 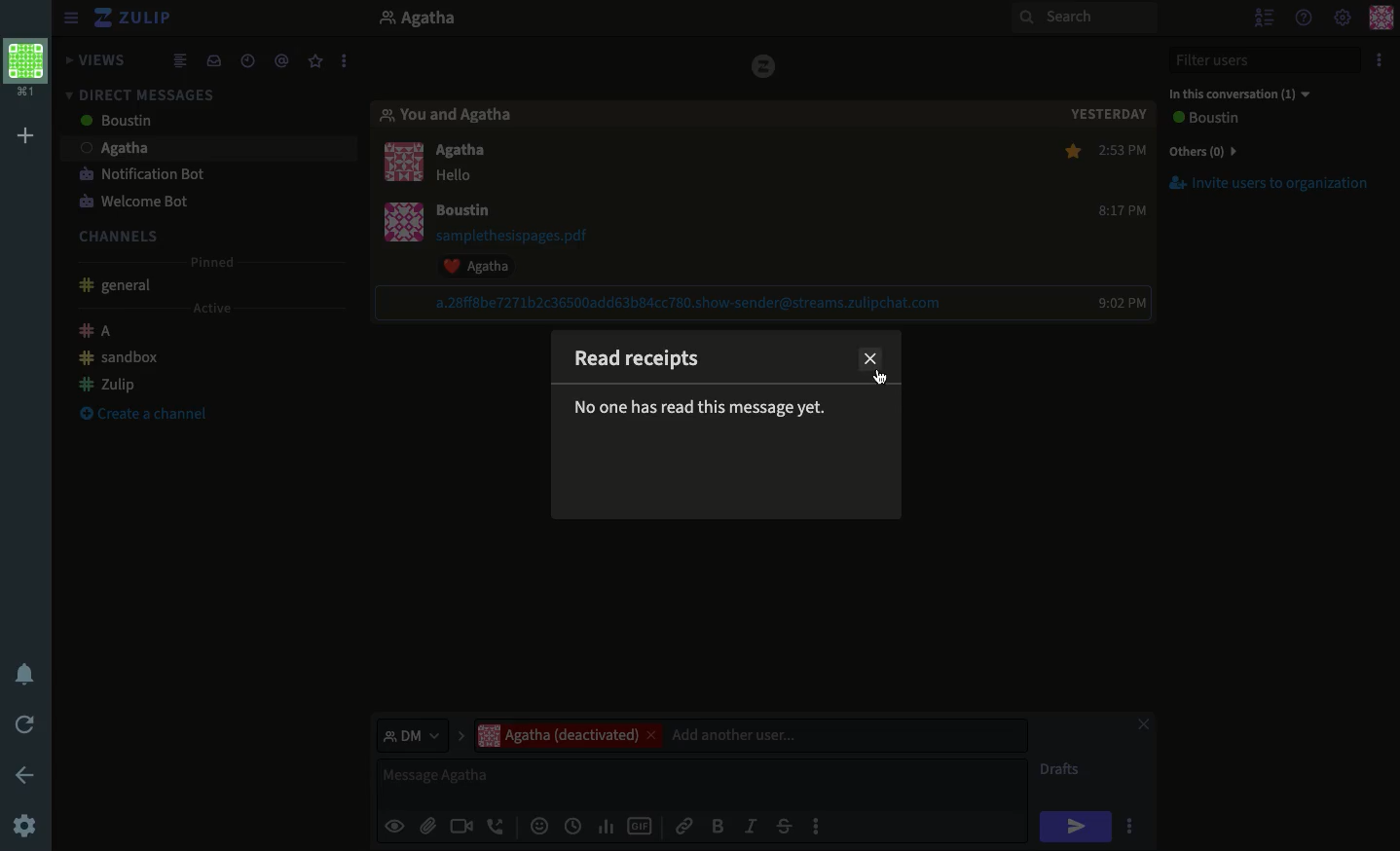 What do you see at coordinates (133, 202) in the screenshot?
I see `Welcome bot` at bounding box center [133, 202].